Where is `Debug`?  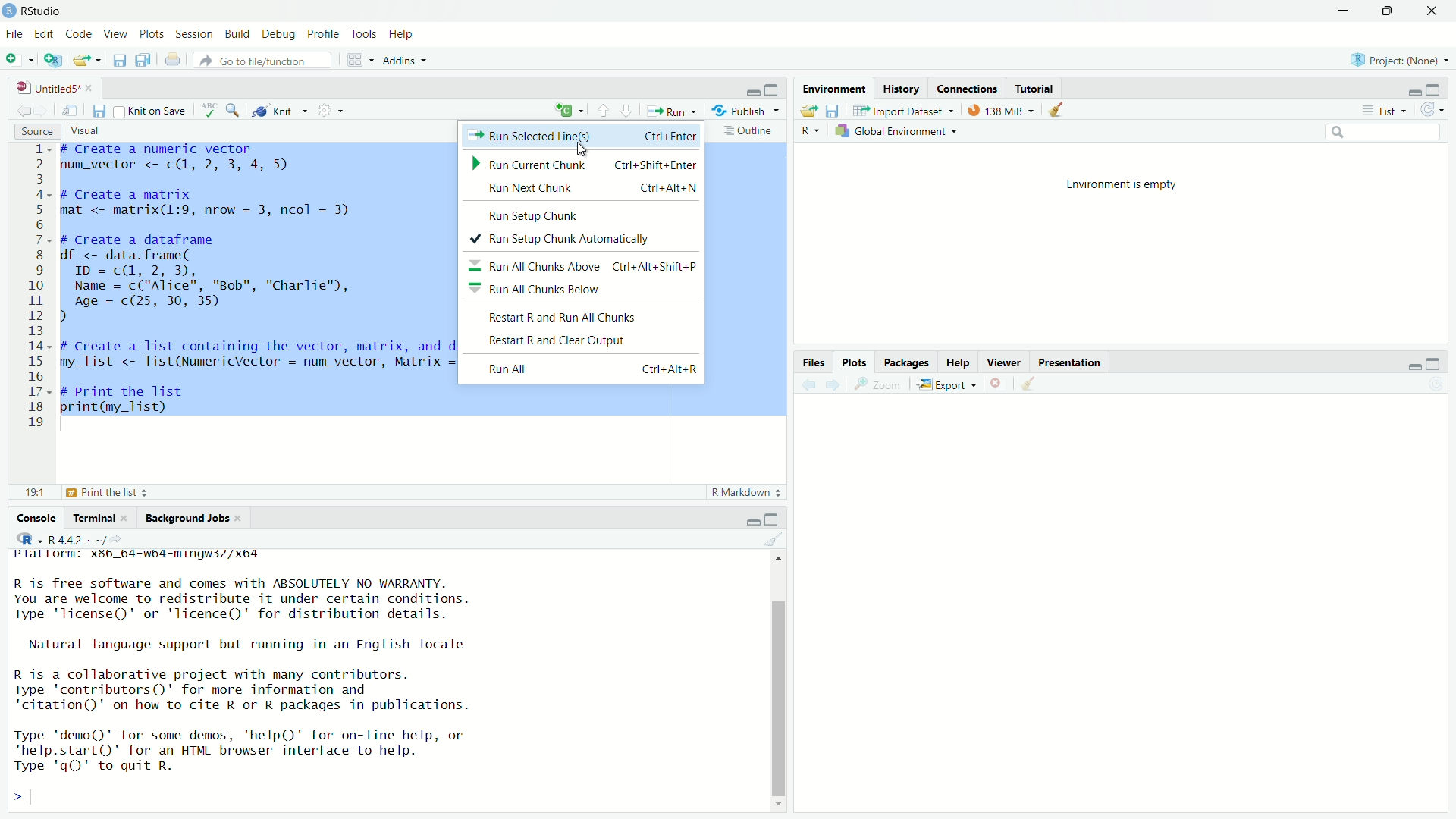
Debug is located at coordinates (279, 34).